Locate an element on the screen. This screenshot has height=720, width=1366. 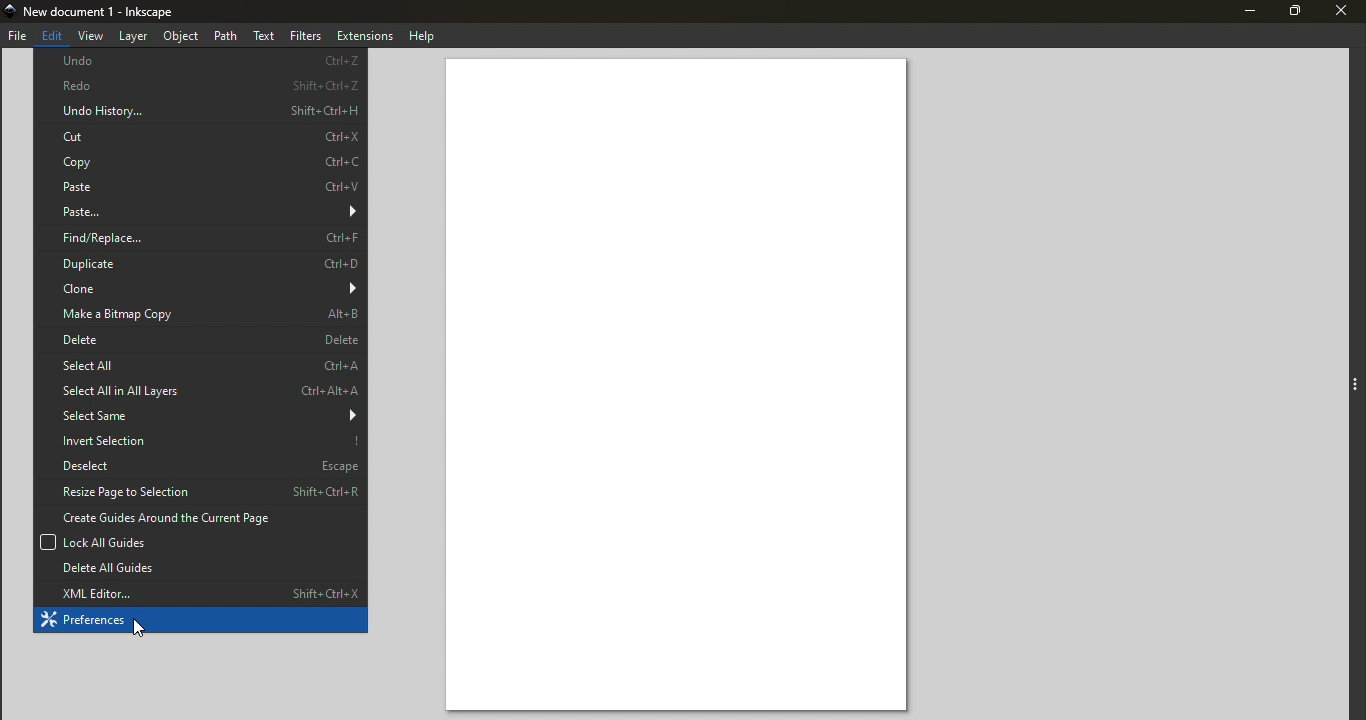
Canvas is located at coordinates (680, 386).